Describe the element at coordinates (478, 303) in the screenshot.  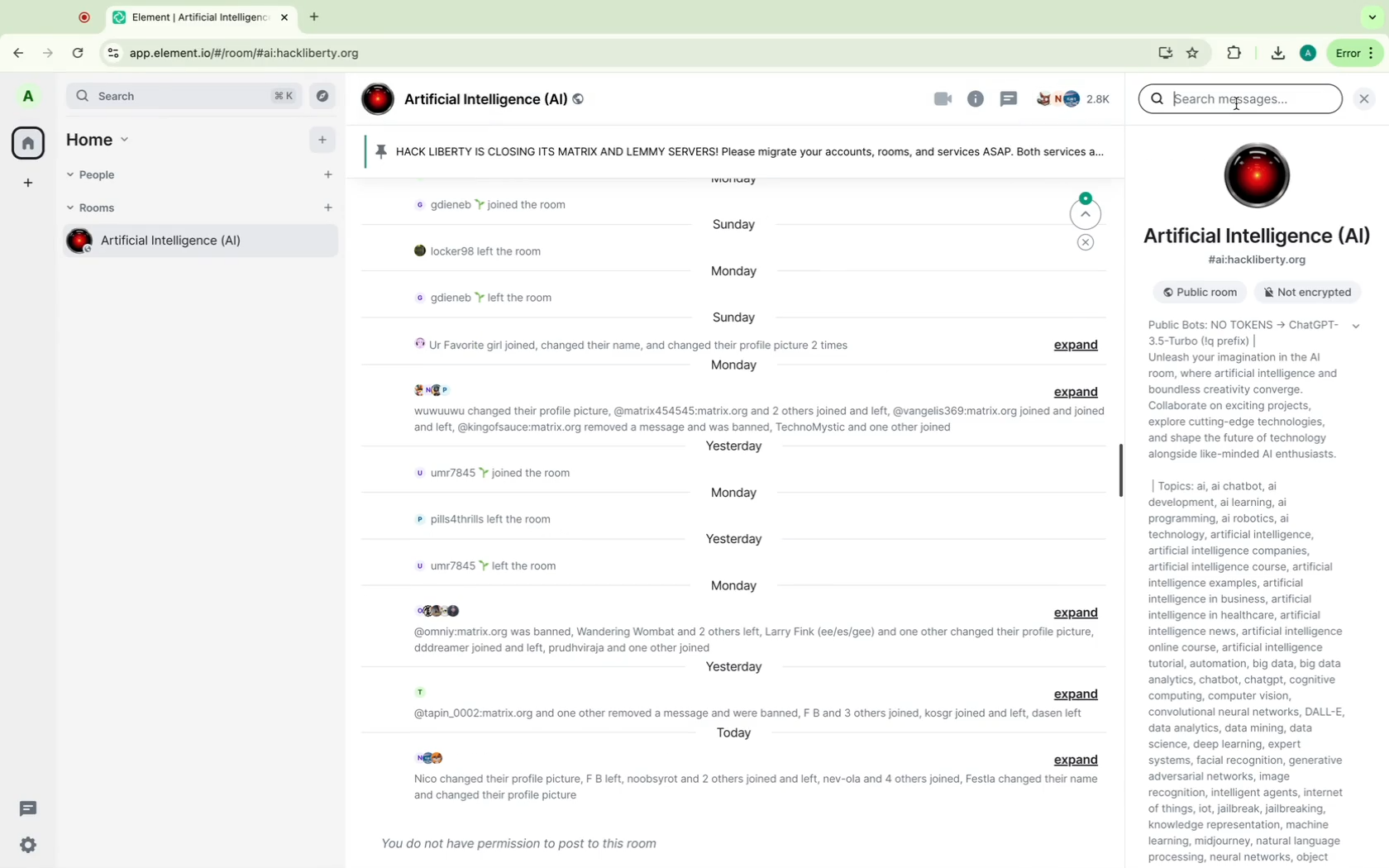
I see `message` at that location.